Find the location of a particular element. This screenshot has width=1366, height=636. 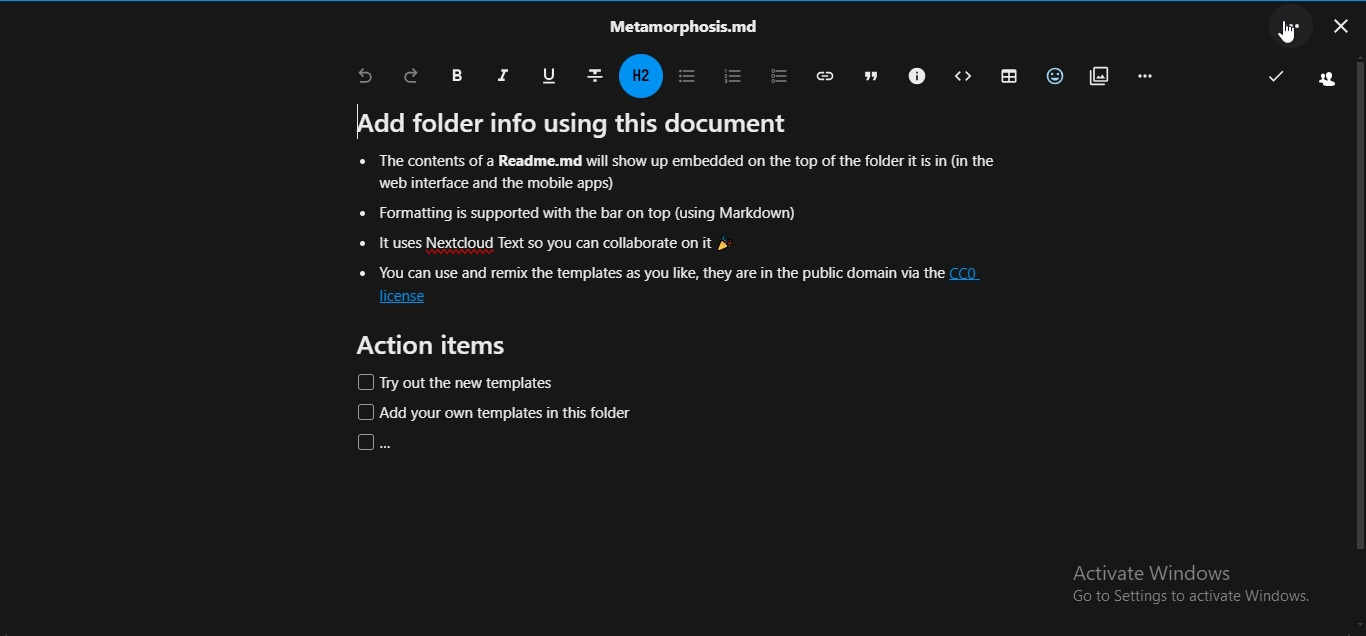

insert link is located at coordinates (823, 75).